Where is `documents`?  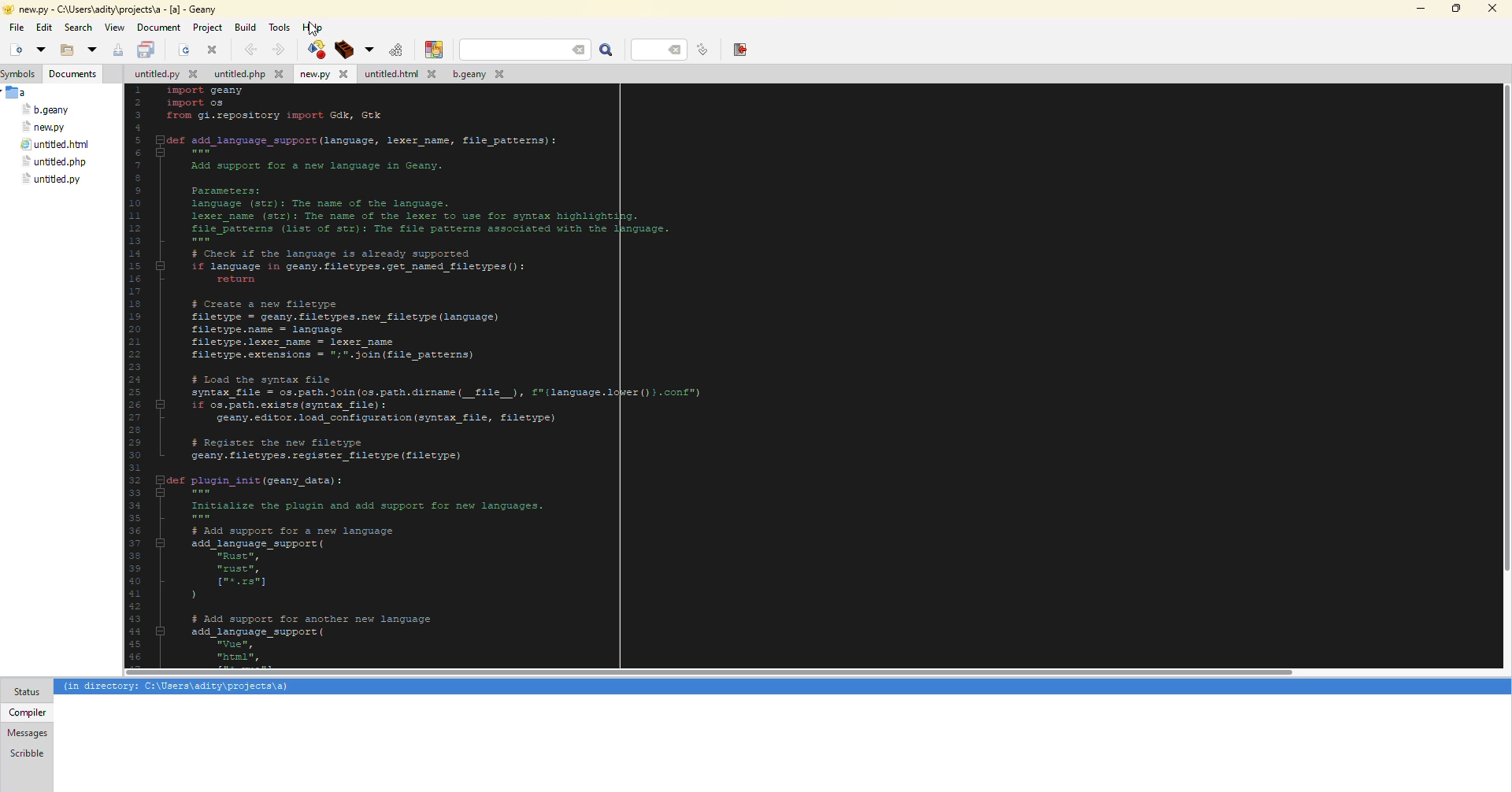
documents is located at coordinates (74, 74).